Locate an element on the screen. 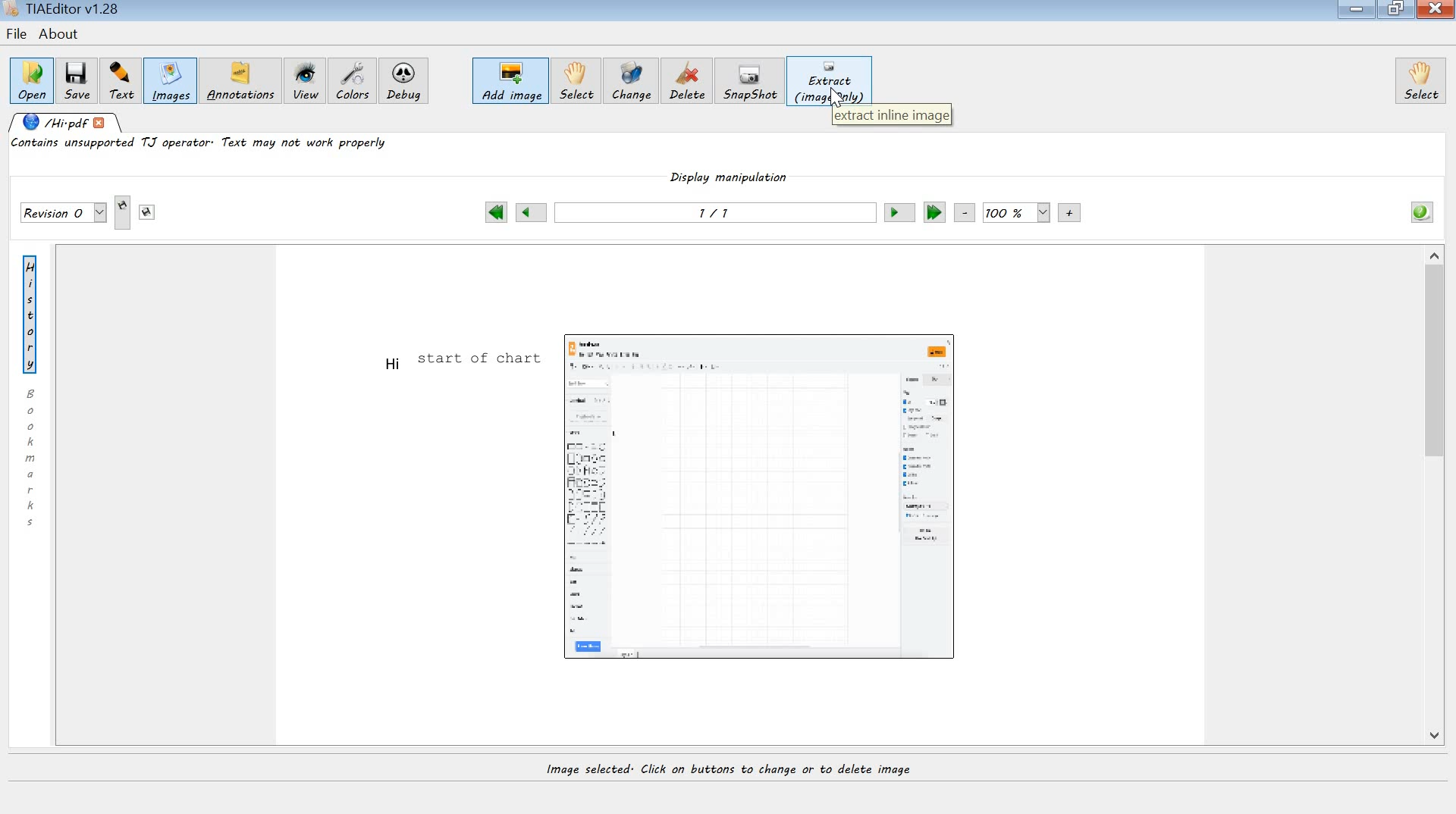 The width and height of the screenshot is (1456, 814). extract inline image is located at coordinates (891, 116).